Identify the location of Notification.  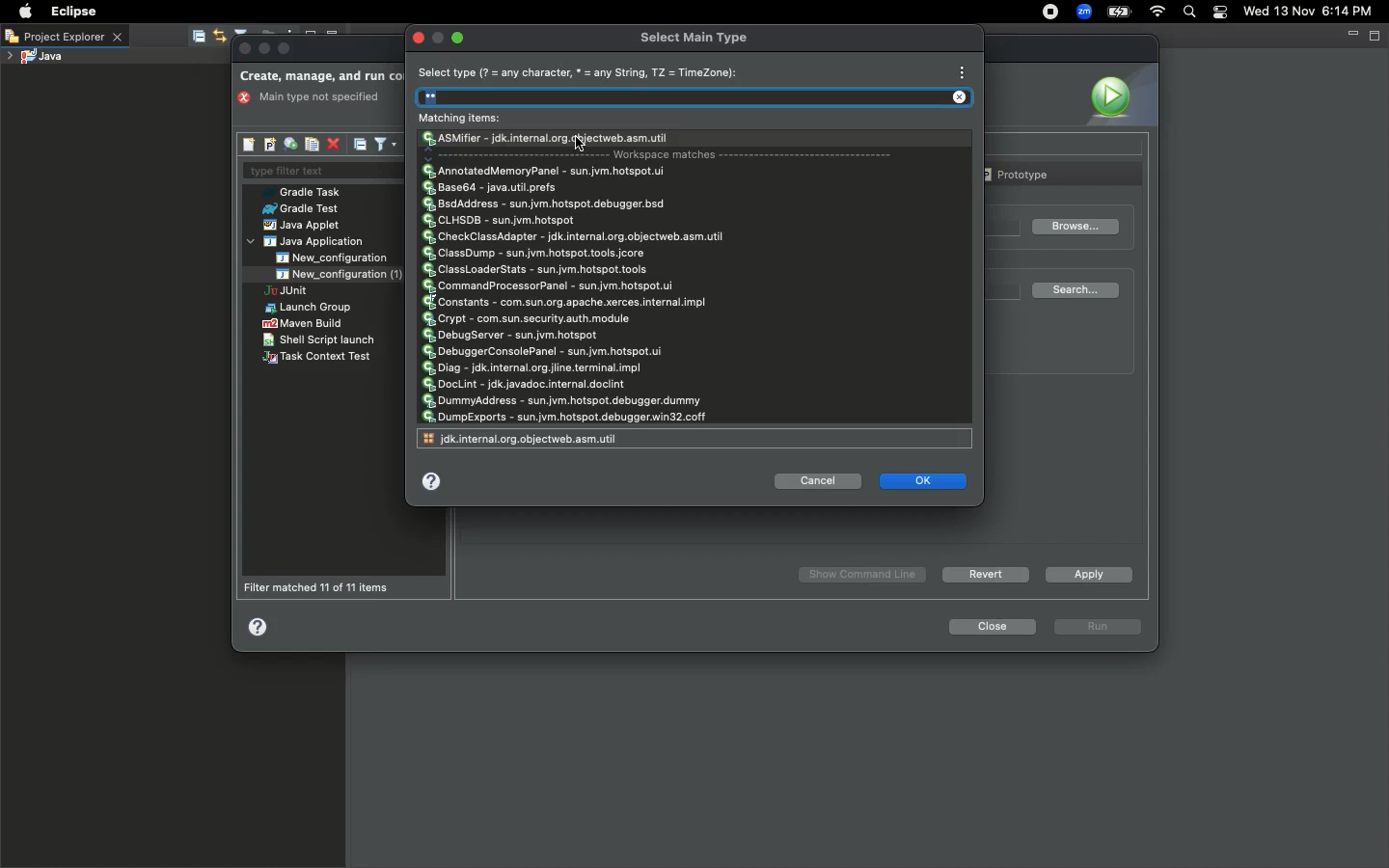
(1221, 13).